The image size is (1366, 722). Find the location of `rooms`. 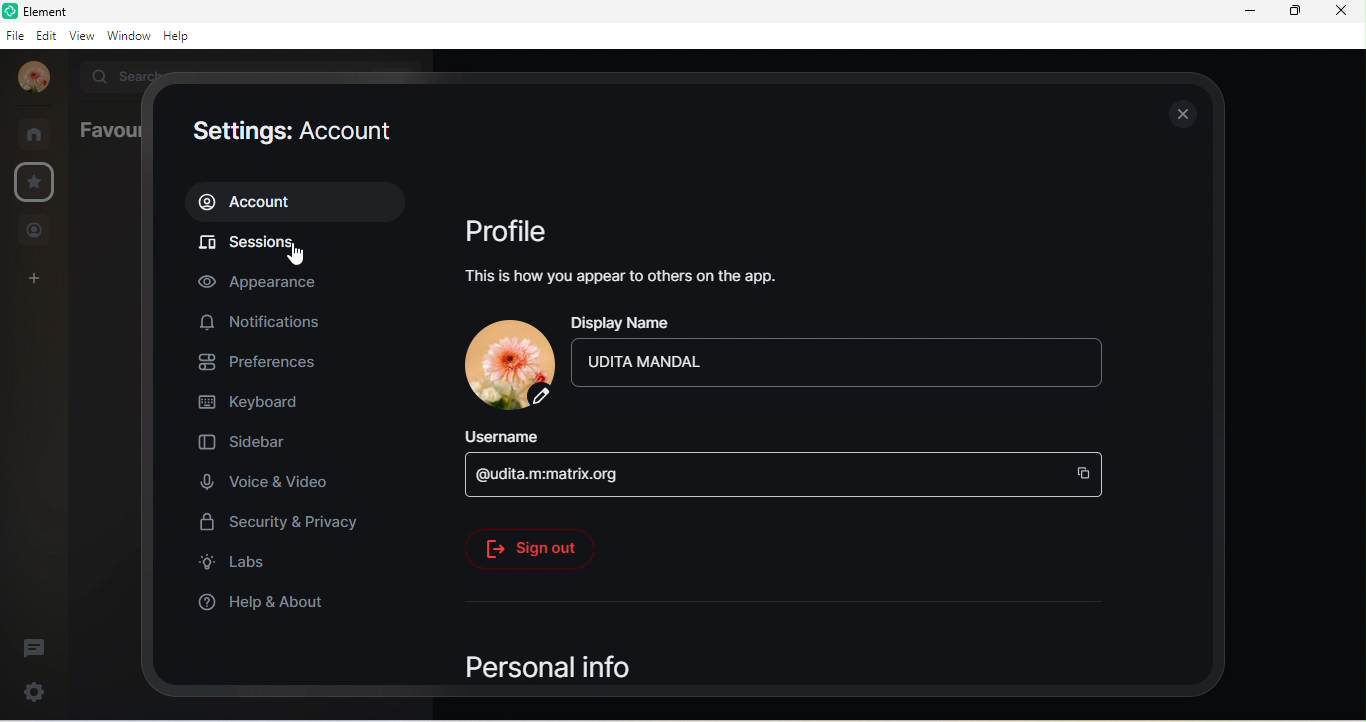

rooms is located at coordinates (39, 133).